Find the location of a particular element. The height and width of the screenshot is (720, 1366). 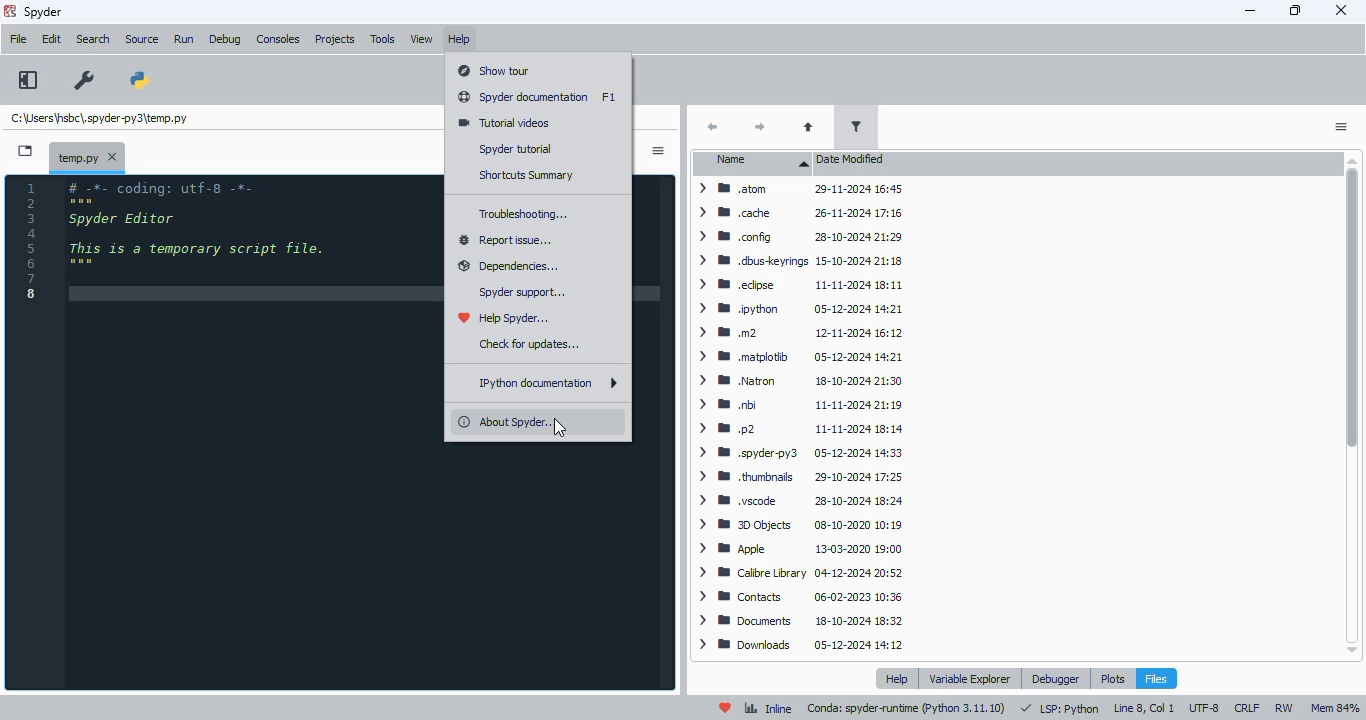

conda: spyder-runtime (python 3. 11. 10) is located at coordinates (906, 708).